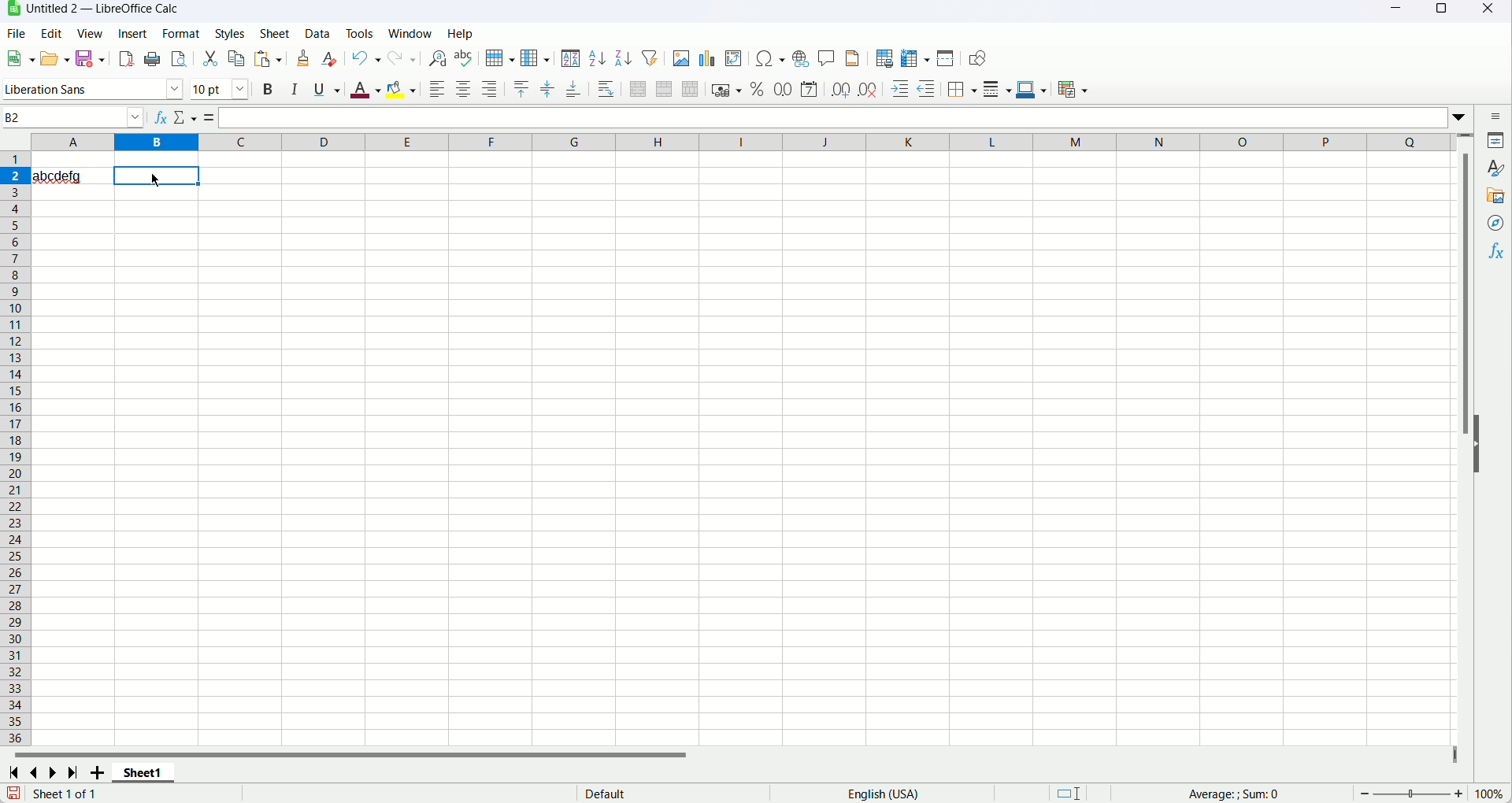 This screenshot has height=803, width=1512. I want to click on default, so click(606, 793).